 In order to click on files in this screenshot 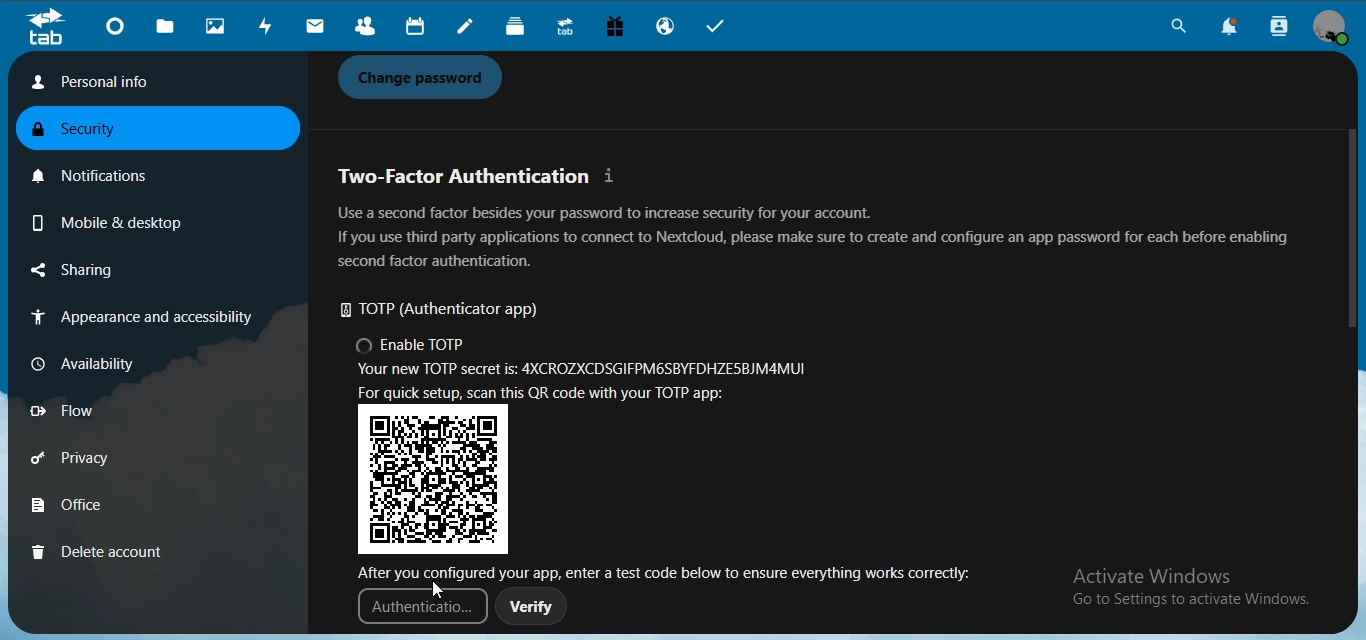, I will do `click(167, 27)`.